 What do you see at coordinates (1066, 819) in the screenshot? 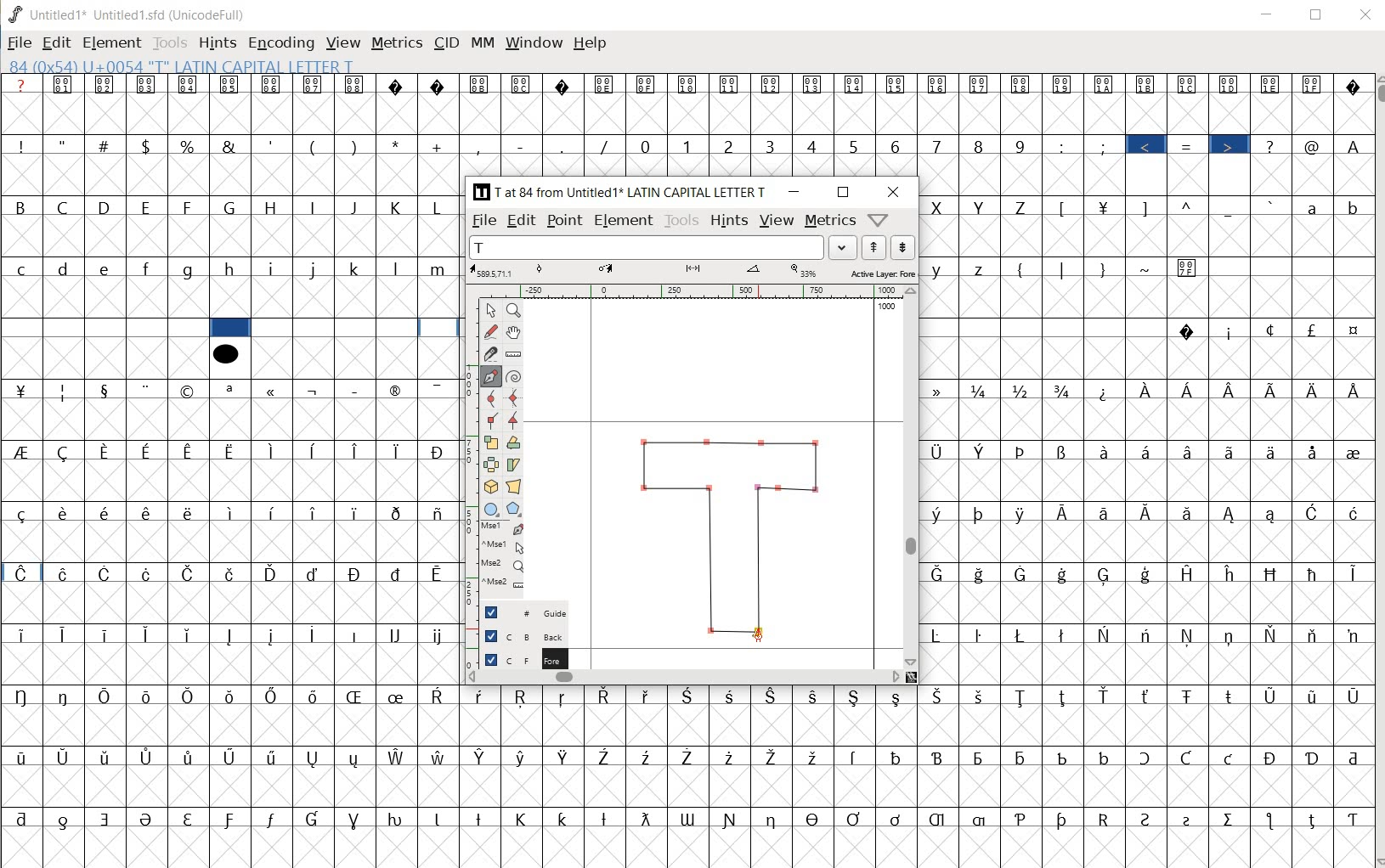
I see `Symbol` at bounding box center [1066, 819].